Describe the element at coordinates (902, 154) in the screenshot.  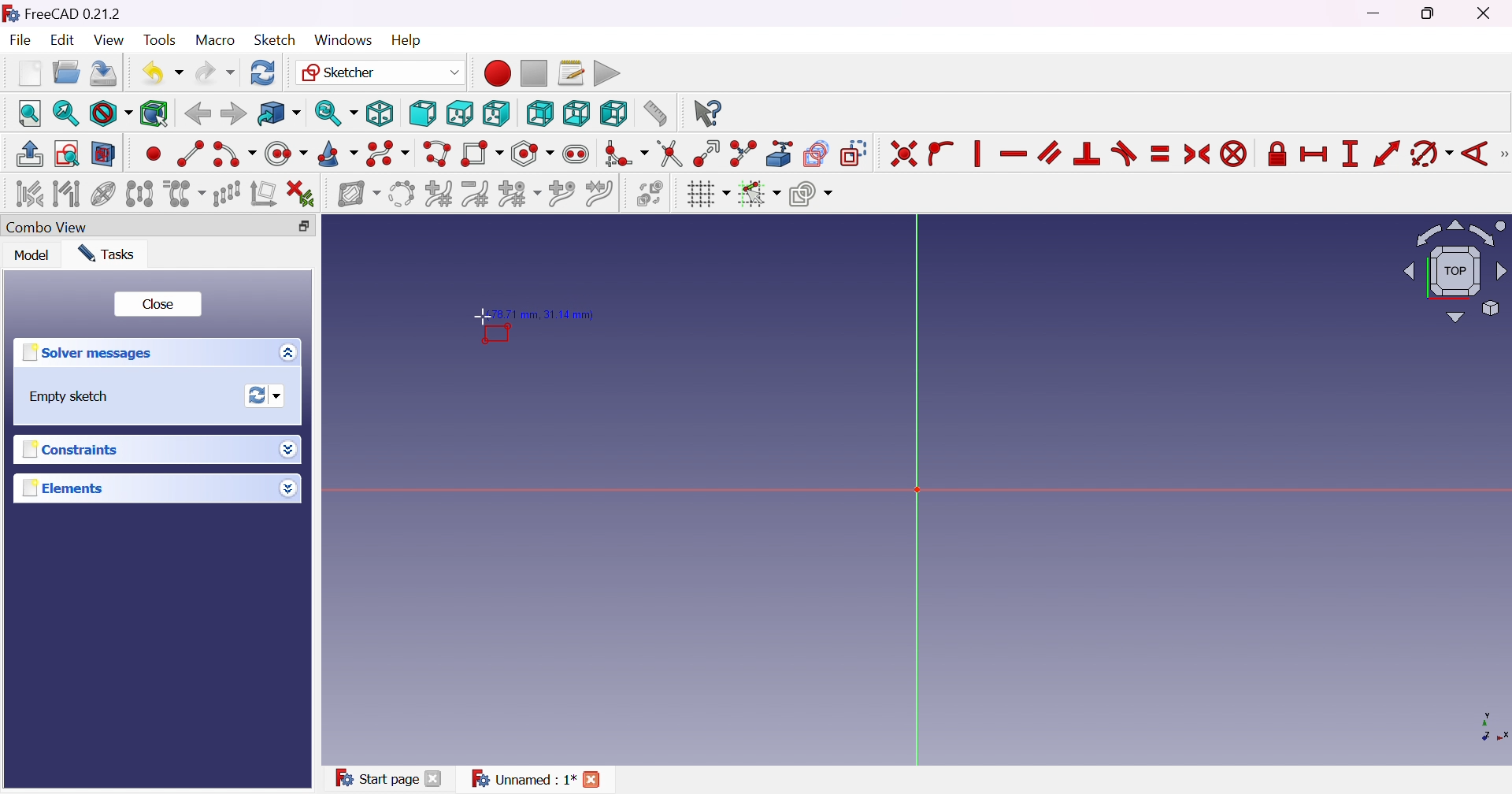
I see `Constrain coincident` at that location.